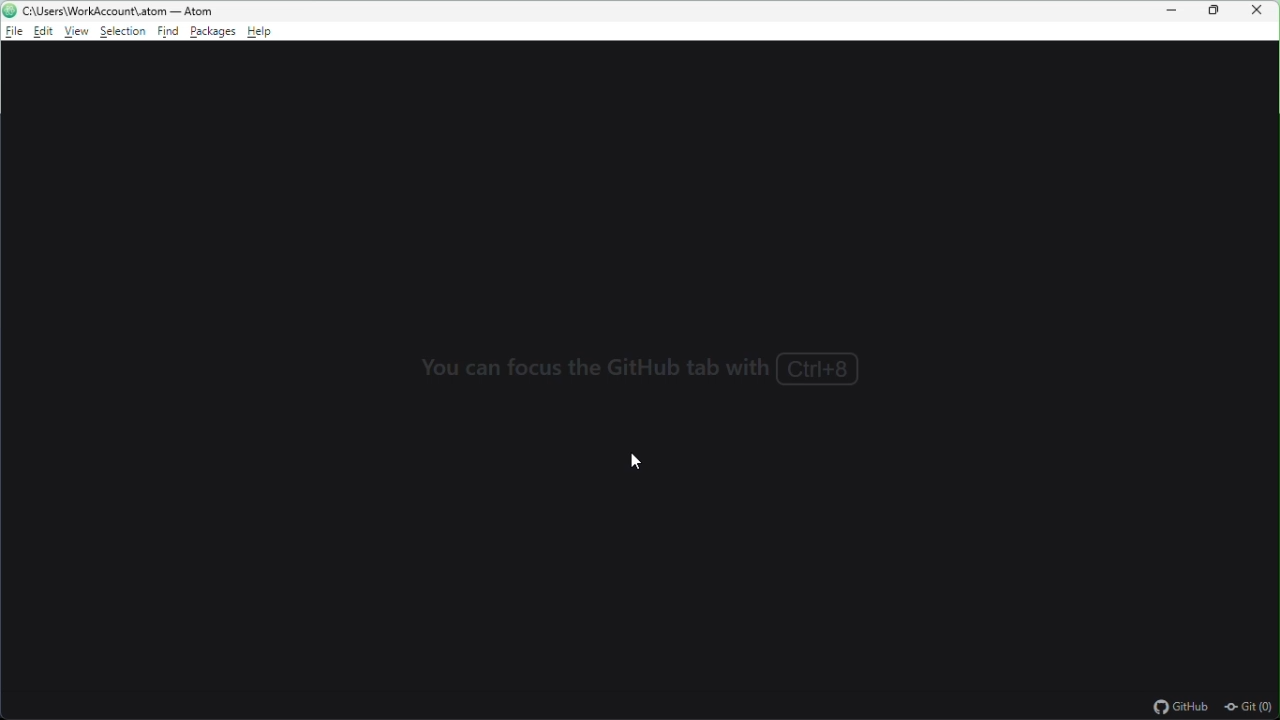 The width and height of the screenshot is (1280, 720). What do you see at coordinates (1260, 11) in the screenshot?
I see `close` at bounding box center [1260, 11].